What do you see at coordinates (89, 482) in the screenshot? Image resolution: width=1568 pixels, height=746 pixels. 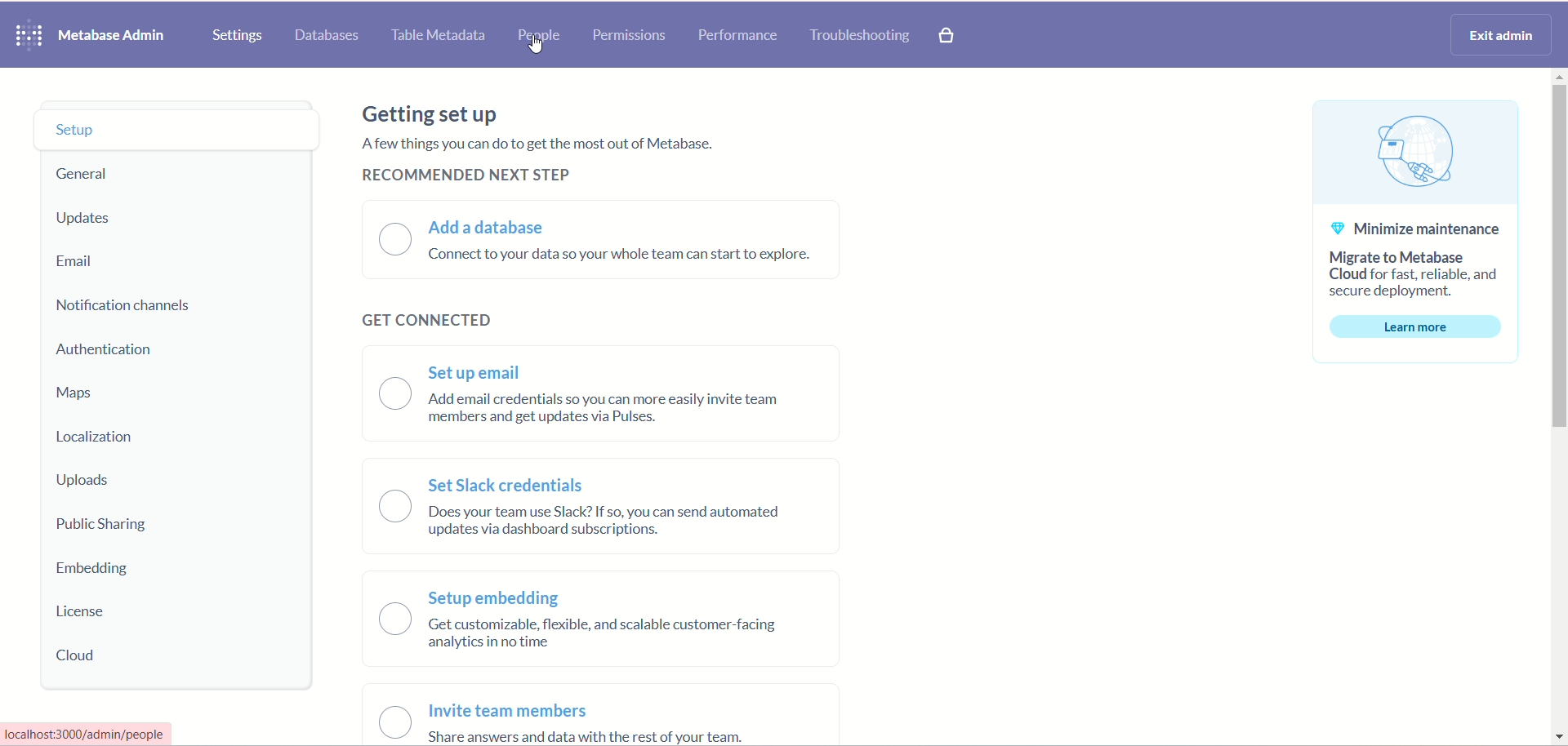 I see `uploads` at bounding box center [89, 482].